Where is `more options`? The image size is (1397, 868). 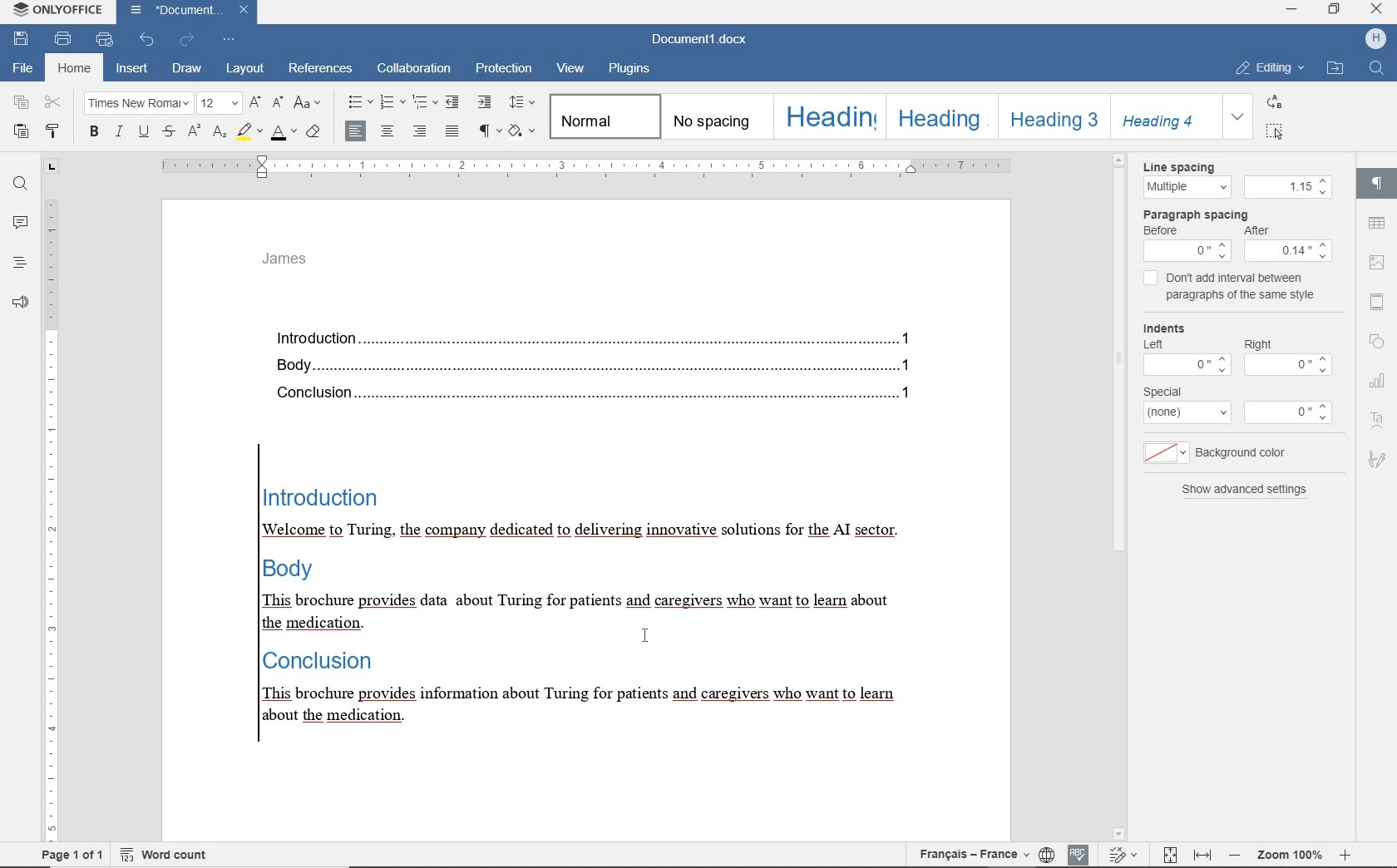
more options is located at coordinates (1296, 413).